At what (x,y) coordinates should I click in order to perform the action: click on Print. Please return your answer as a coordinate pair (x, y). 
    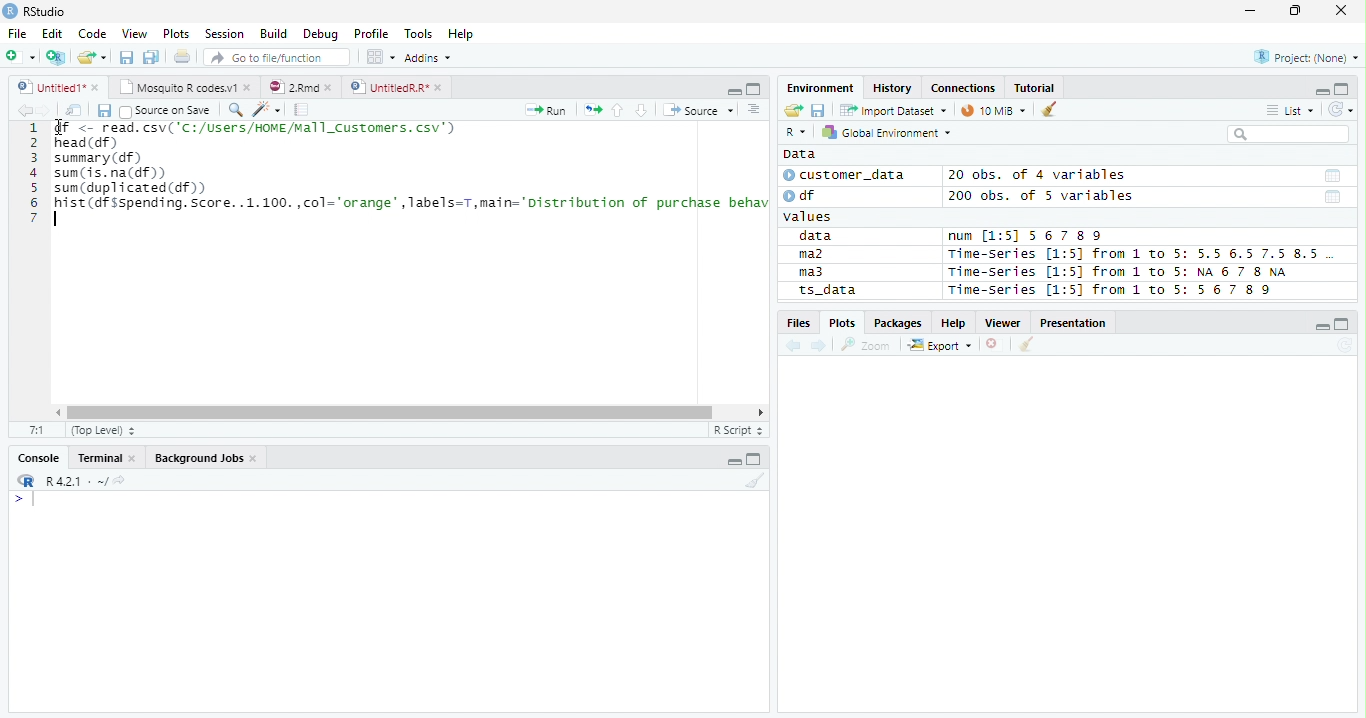
    Looking at the image, I should click on (181, 57).